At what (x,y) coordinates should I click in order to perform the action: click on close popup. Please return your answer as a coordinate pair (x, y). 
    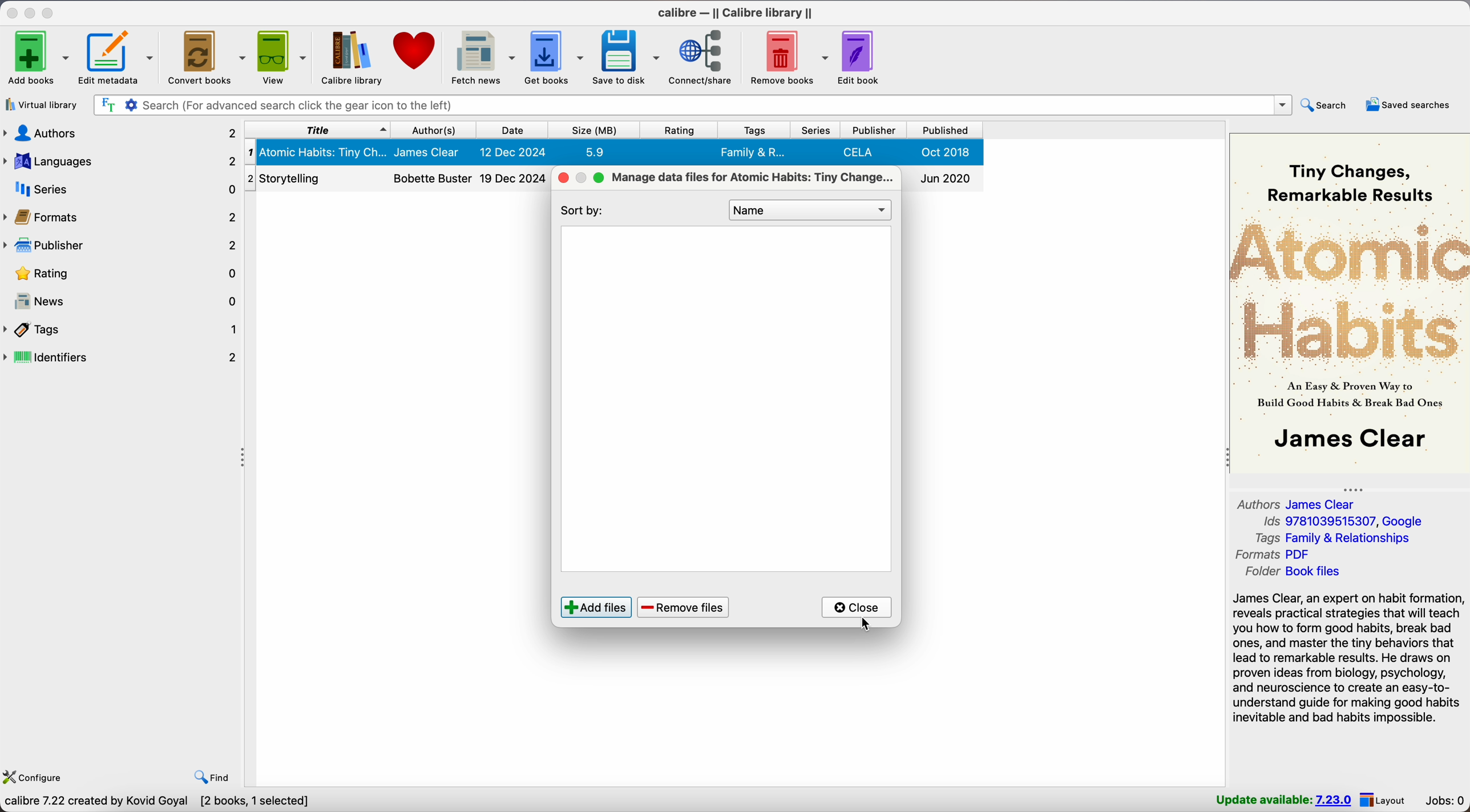
    Looking at the image, I should click on (565, 178).